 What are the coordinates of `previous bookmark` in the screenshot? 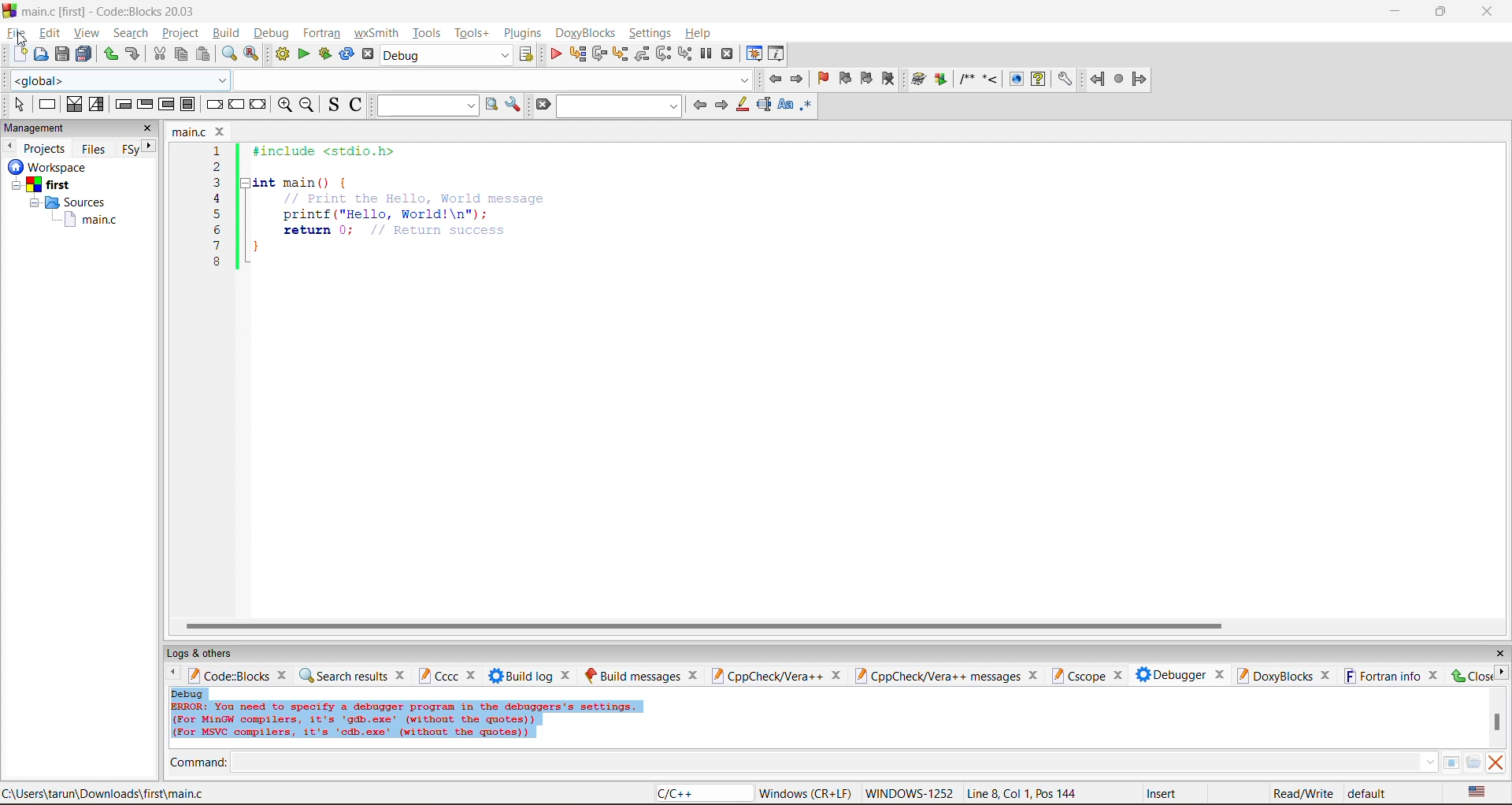 It's located at (845, 78).